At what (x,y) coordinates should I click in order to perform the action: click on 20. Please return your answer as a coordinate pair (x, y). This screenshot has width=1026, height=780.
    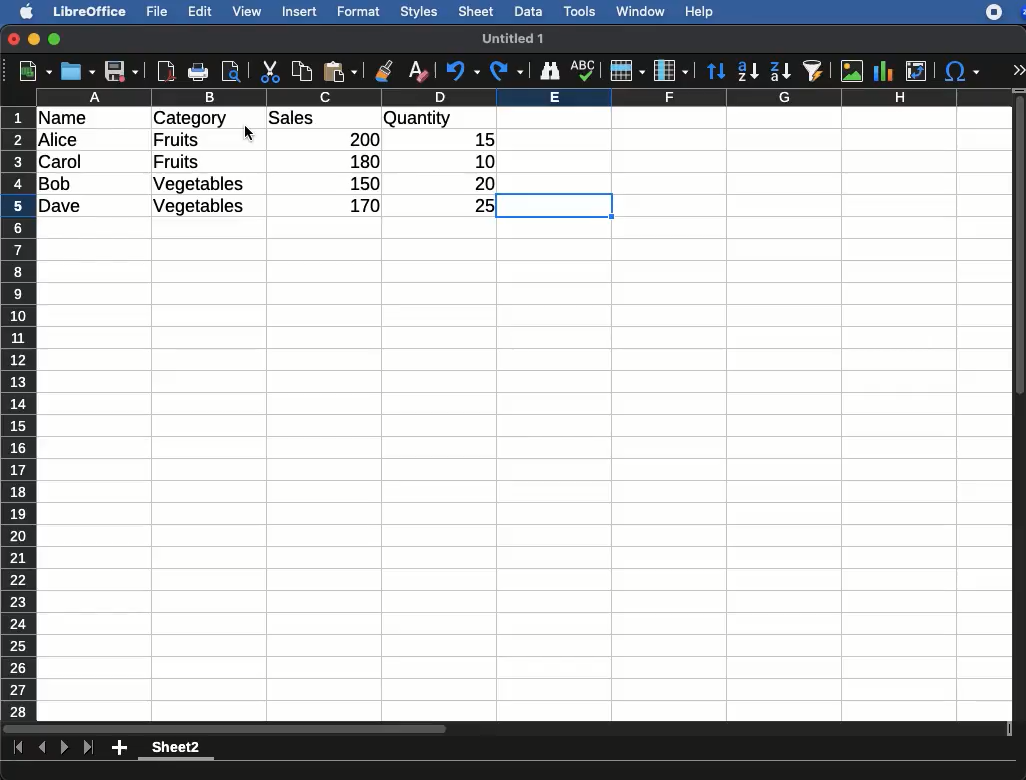
    Looking at the image, I should click on (477, 183).